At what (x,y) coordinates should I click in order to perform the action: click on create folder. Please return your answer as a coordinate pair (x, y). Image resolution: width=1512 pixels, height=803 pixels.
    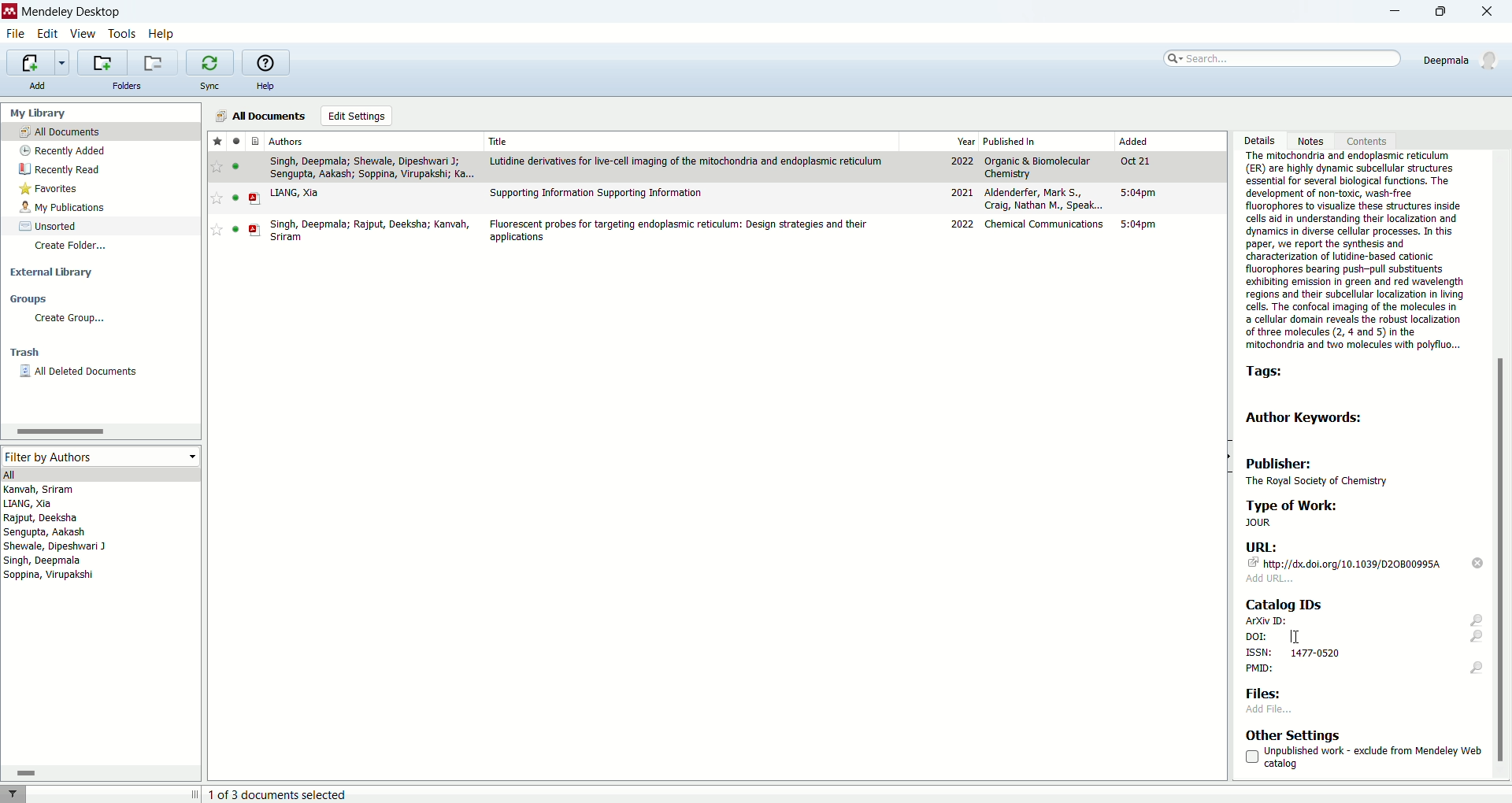
    Looking at the image, I should click on (73, 247).